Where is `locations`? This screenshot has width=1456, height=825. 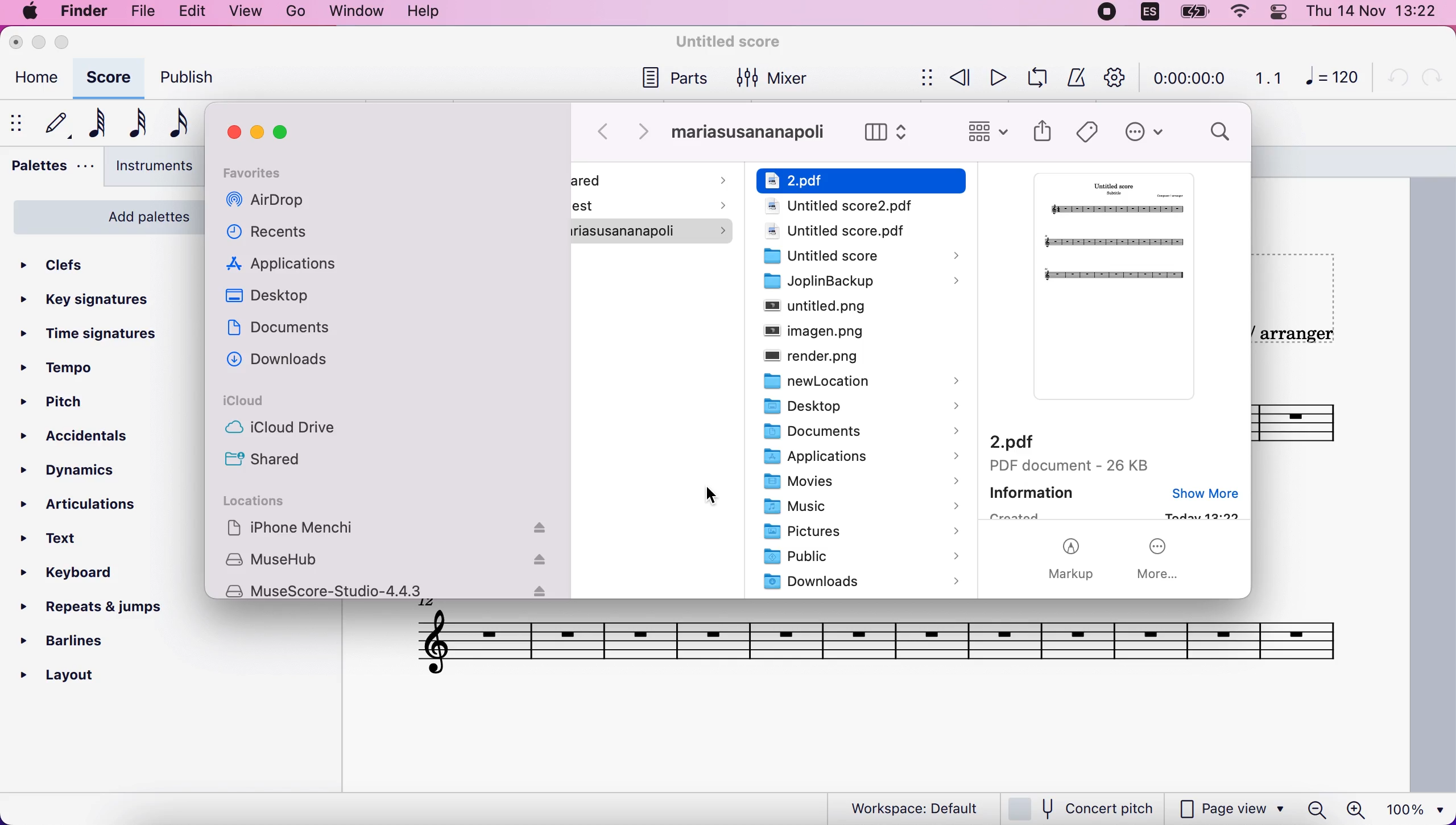
locations is located at coordinates (261, 501).